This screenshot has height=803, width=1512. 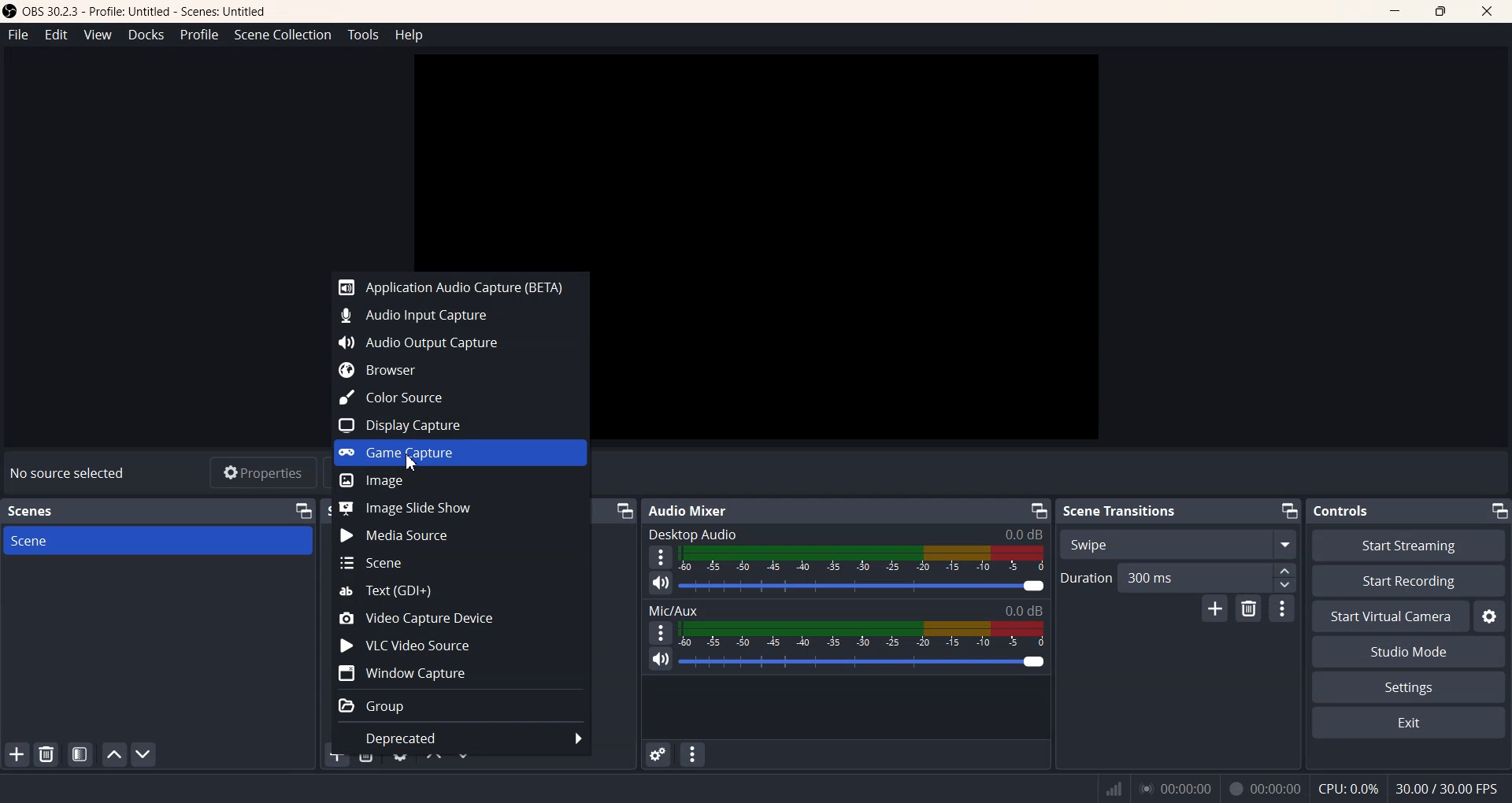 I want to click on Scene Collection, so click(x=283, y=35).